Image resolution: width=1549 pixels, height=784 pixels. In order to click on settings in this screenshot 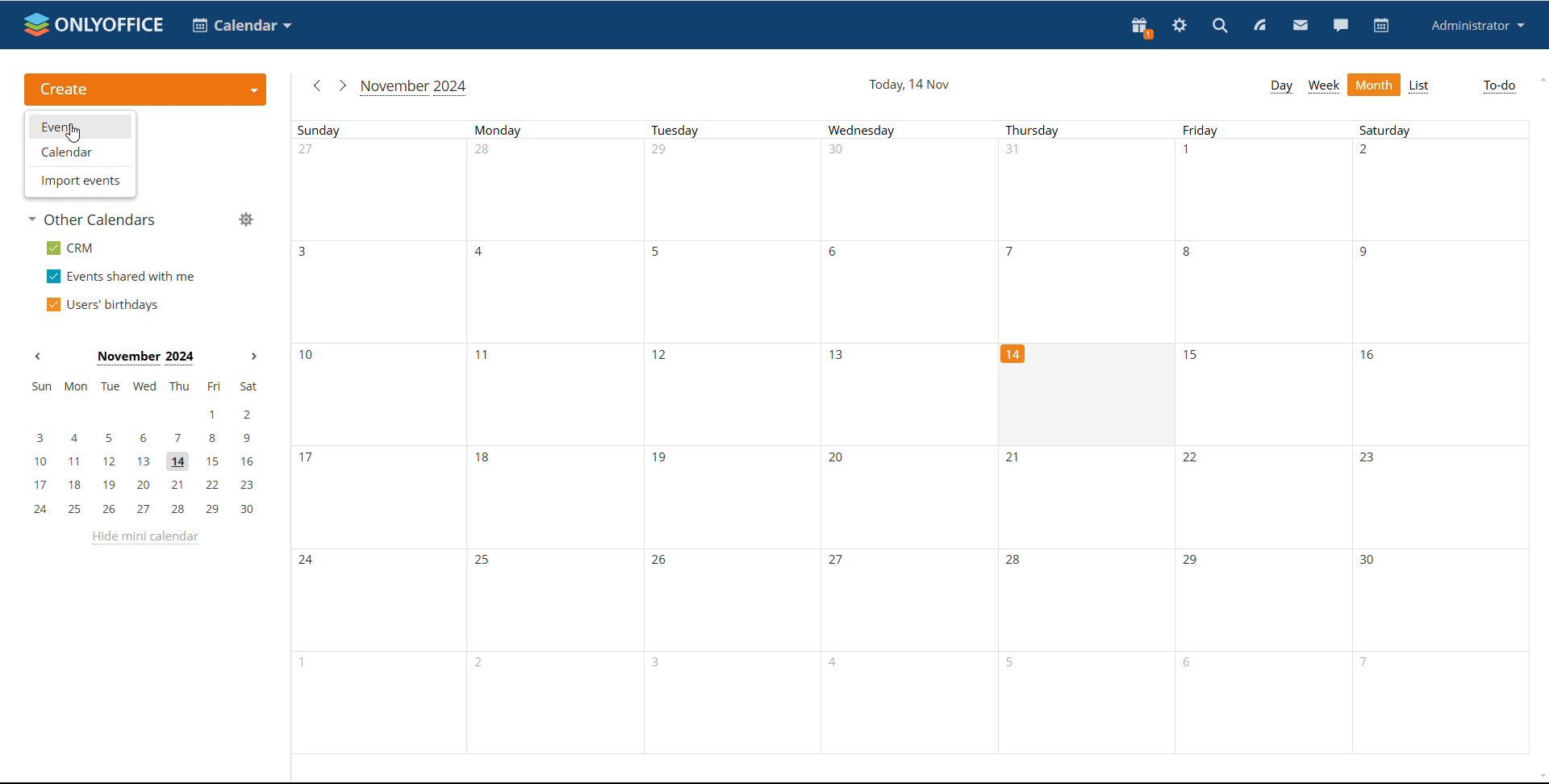, I will do `click(1179, 27)`.